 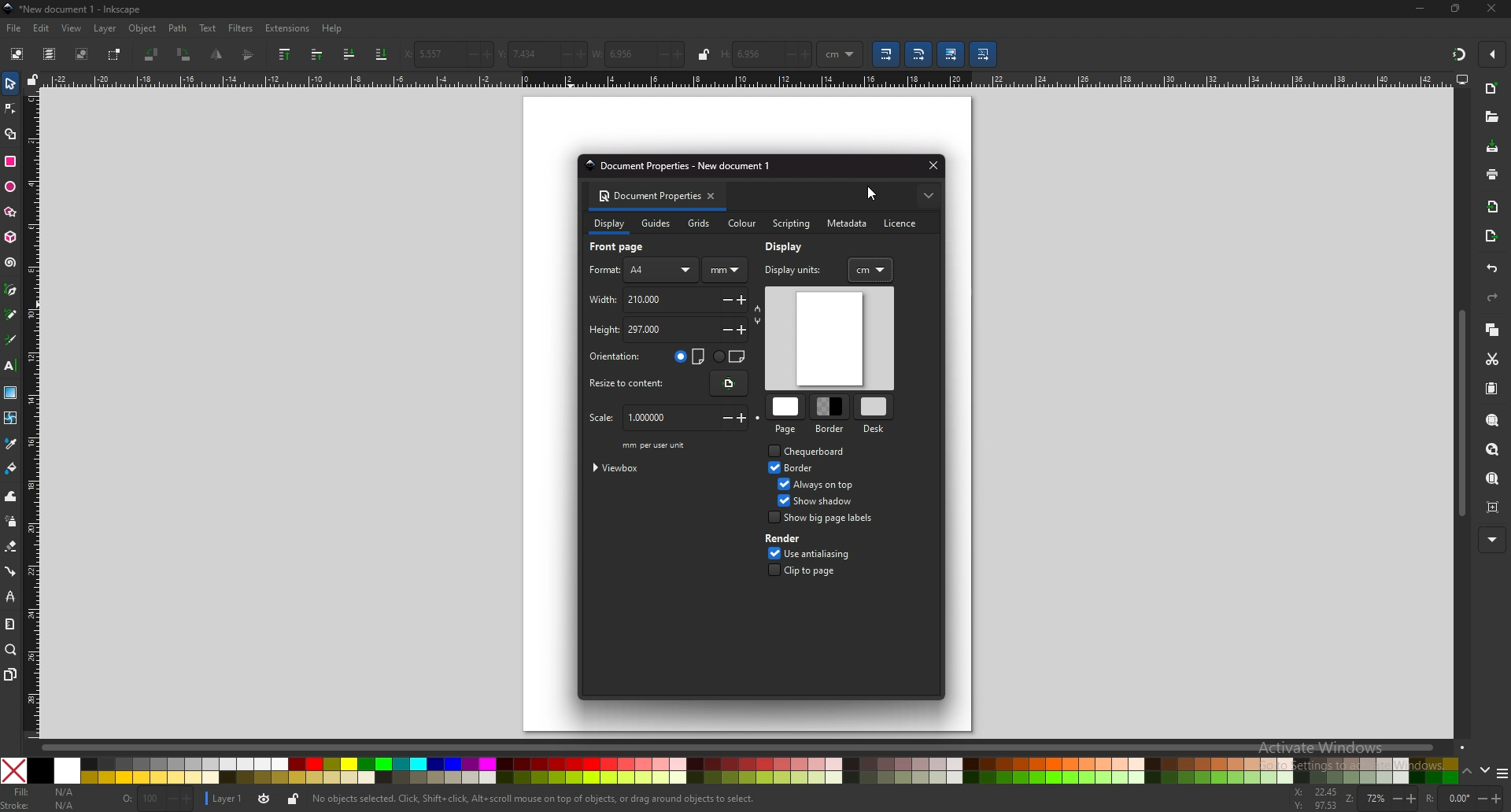 I want to click on paste, so click(x=1493, y=389).